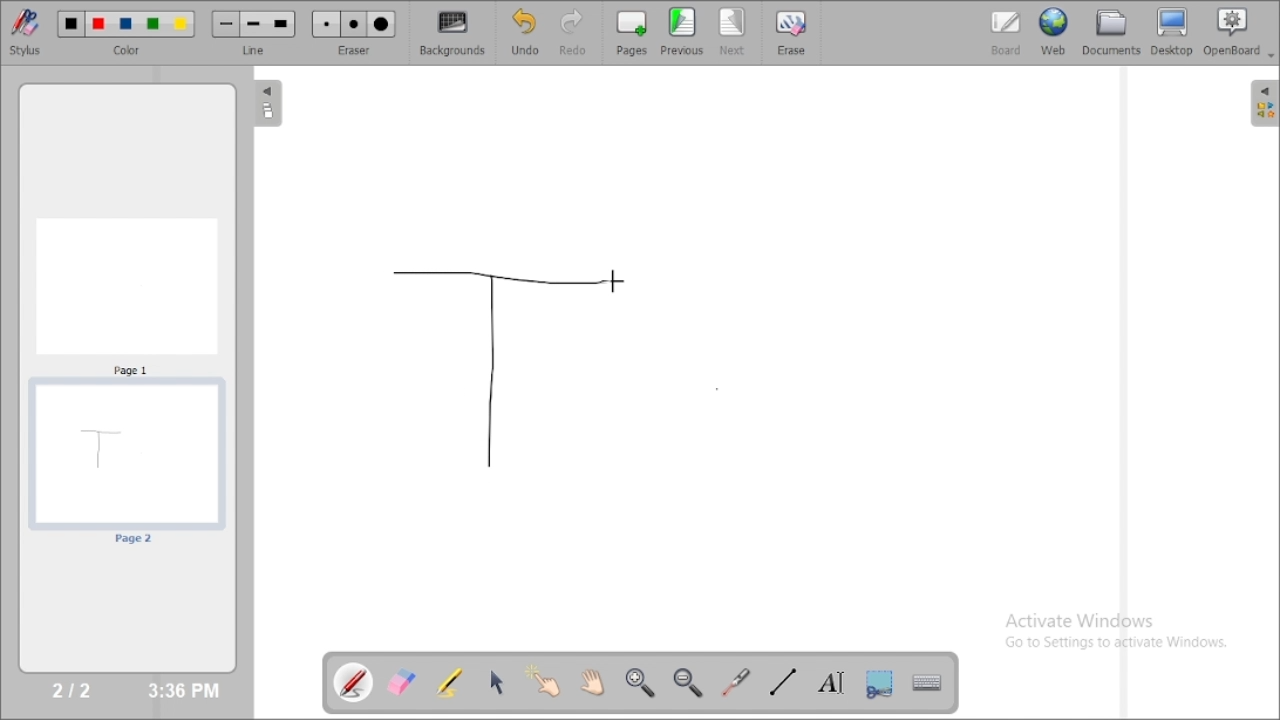 The height and width of the screenshot is (720, 1280). I want to click on virtual laser pointer, so click(736, 682).